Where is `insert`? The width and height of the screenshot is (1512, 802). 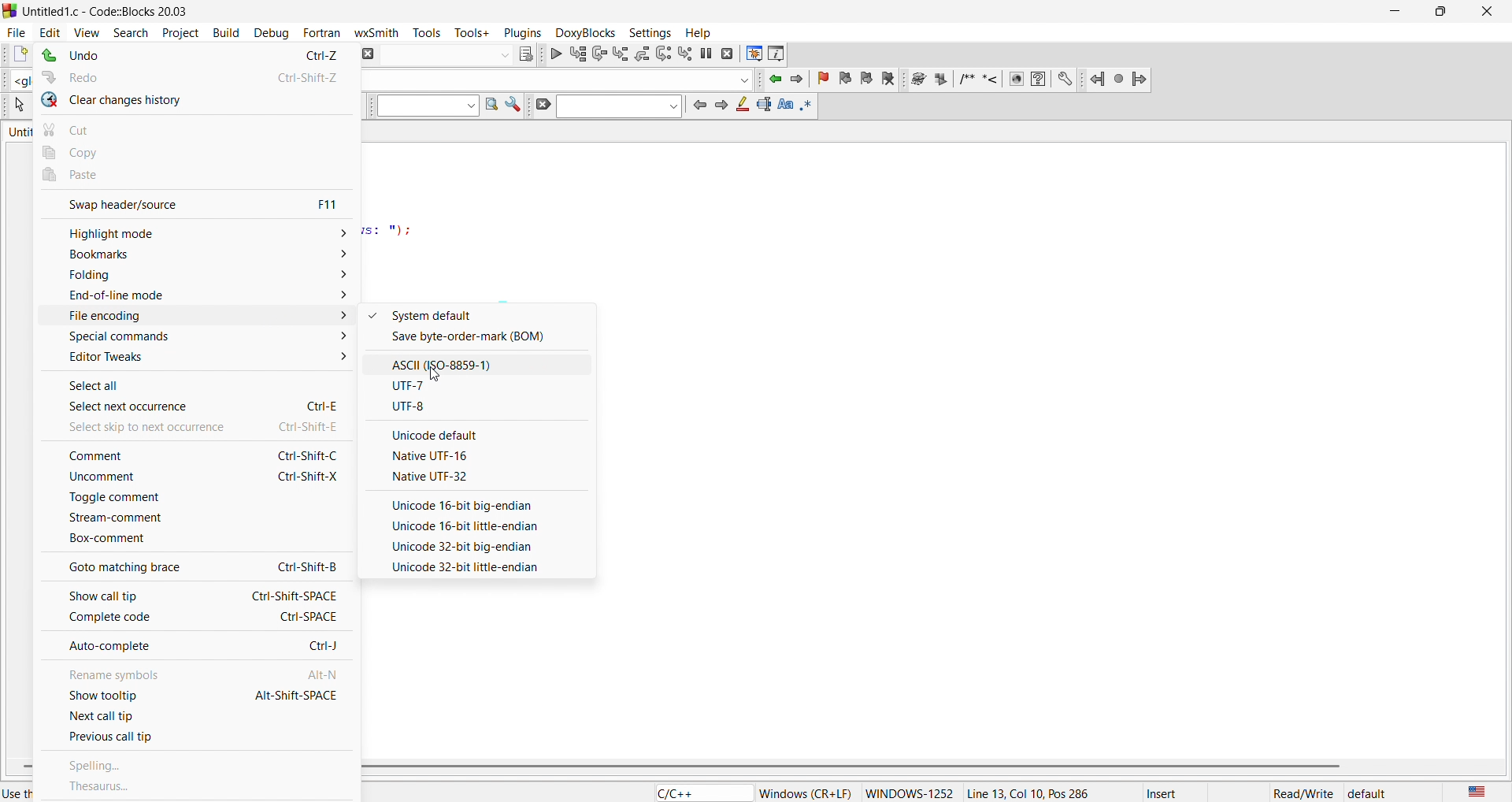 insert is located at coordinates (1164, 793).